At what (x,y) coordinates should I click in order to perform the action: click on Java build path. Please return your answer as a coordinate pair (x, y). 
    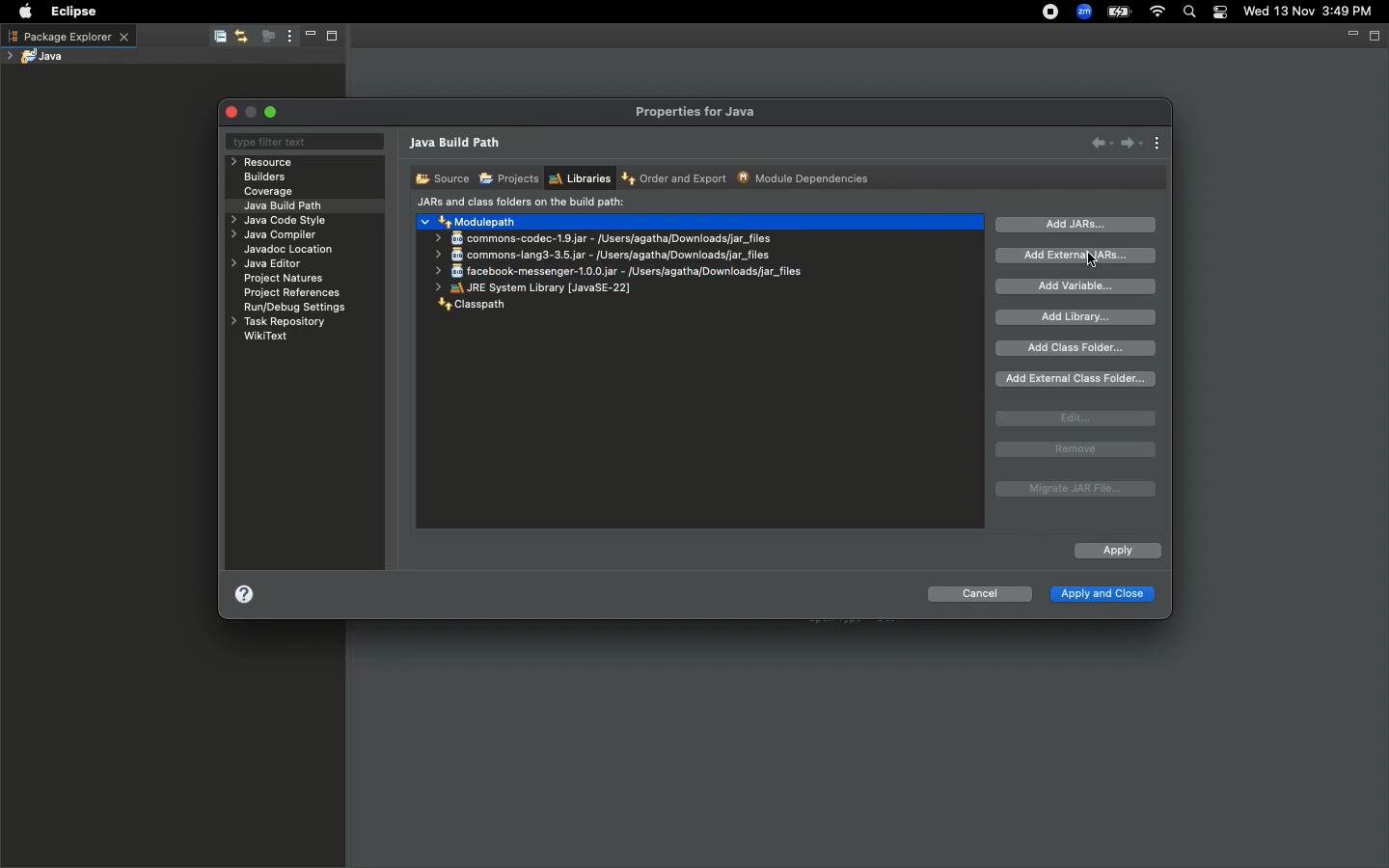
    Looking at the image, I should click on (287, 204).